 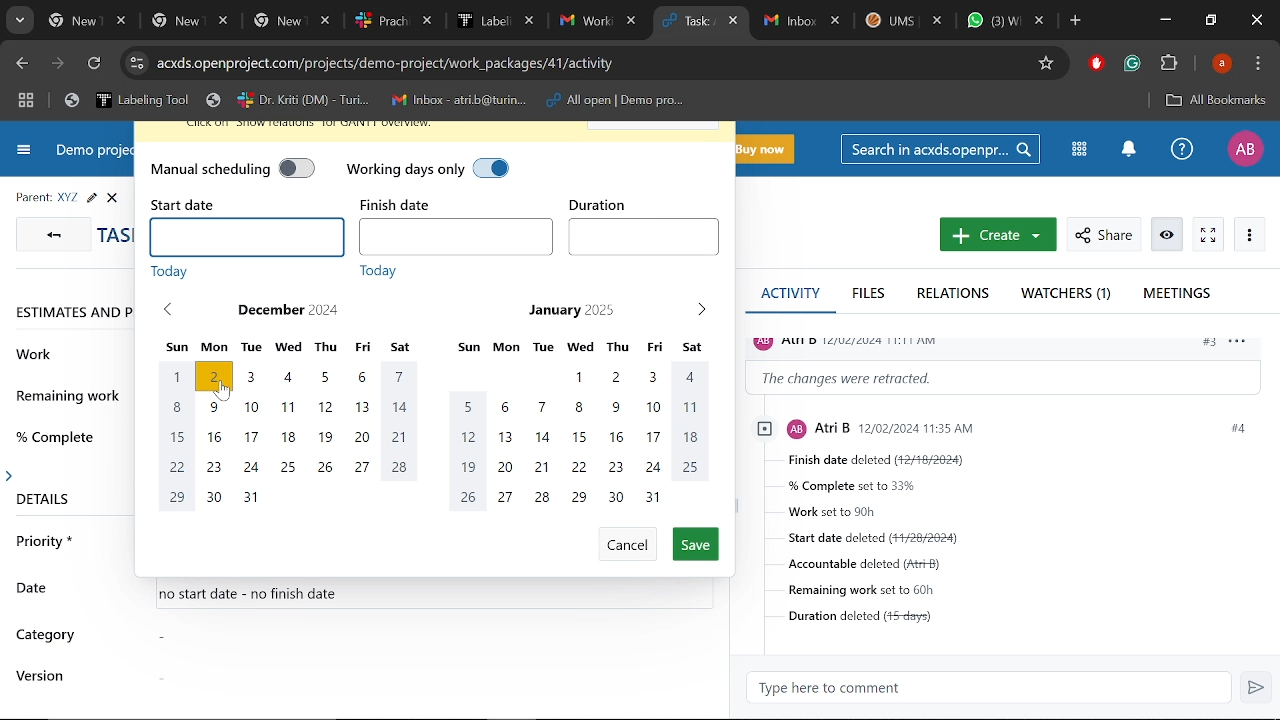 I want to click on Minimize, so click(x=1165, y=19).